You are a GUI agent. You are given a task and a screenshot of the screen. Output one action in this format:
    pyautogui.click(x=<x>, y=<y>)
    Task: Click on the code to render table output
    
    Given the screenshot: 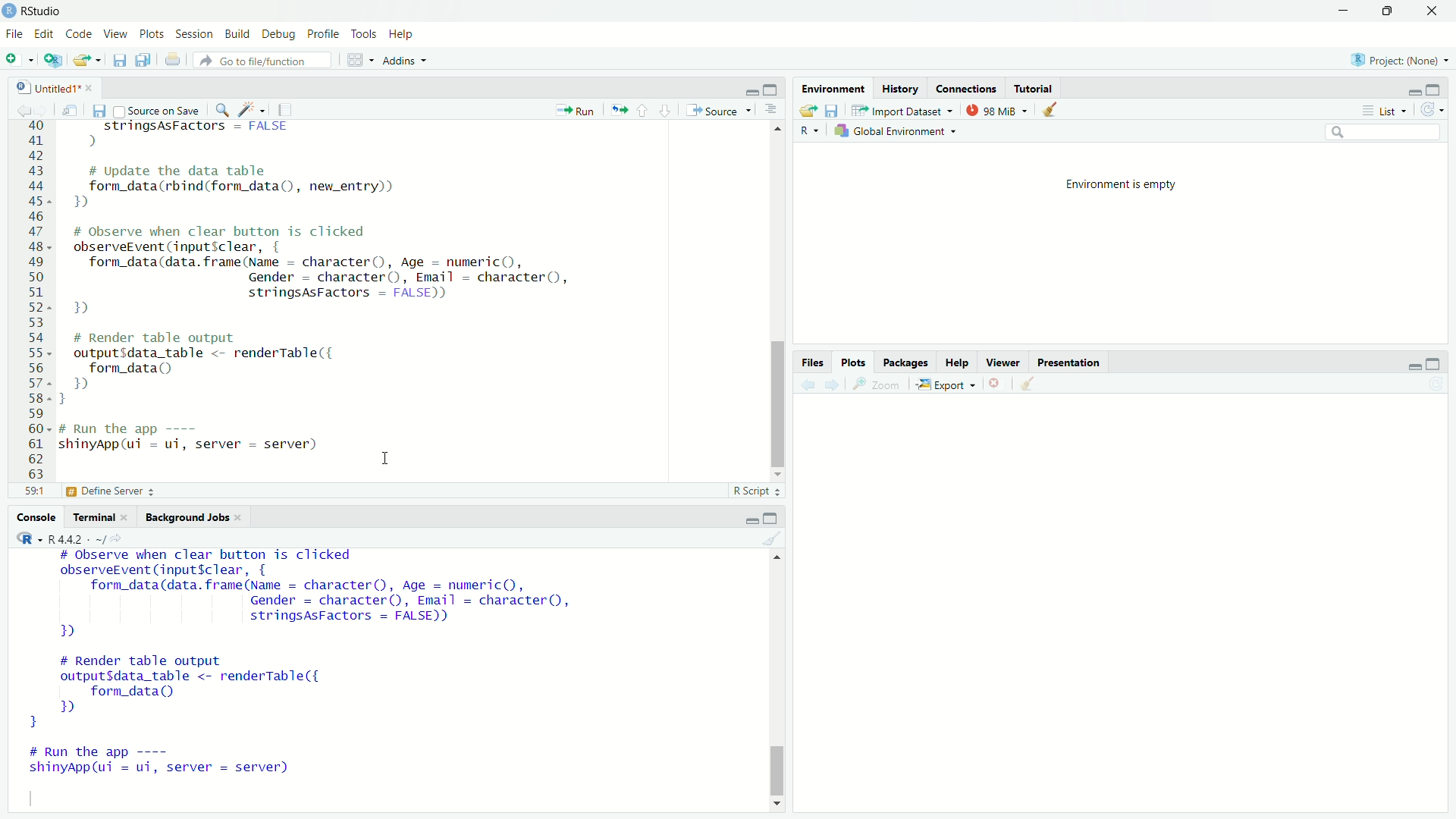 What is the action you would take?
    pyautogui.click(x=229, y=367)
    